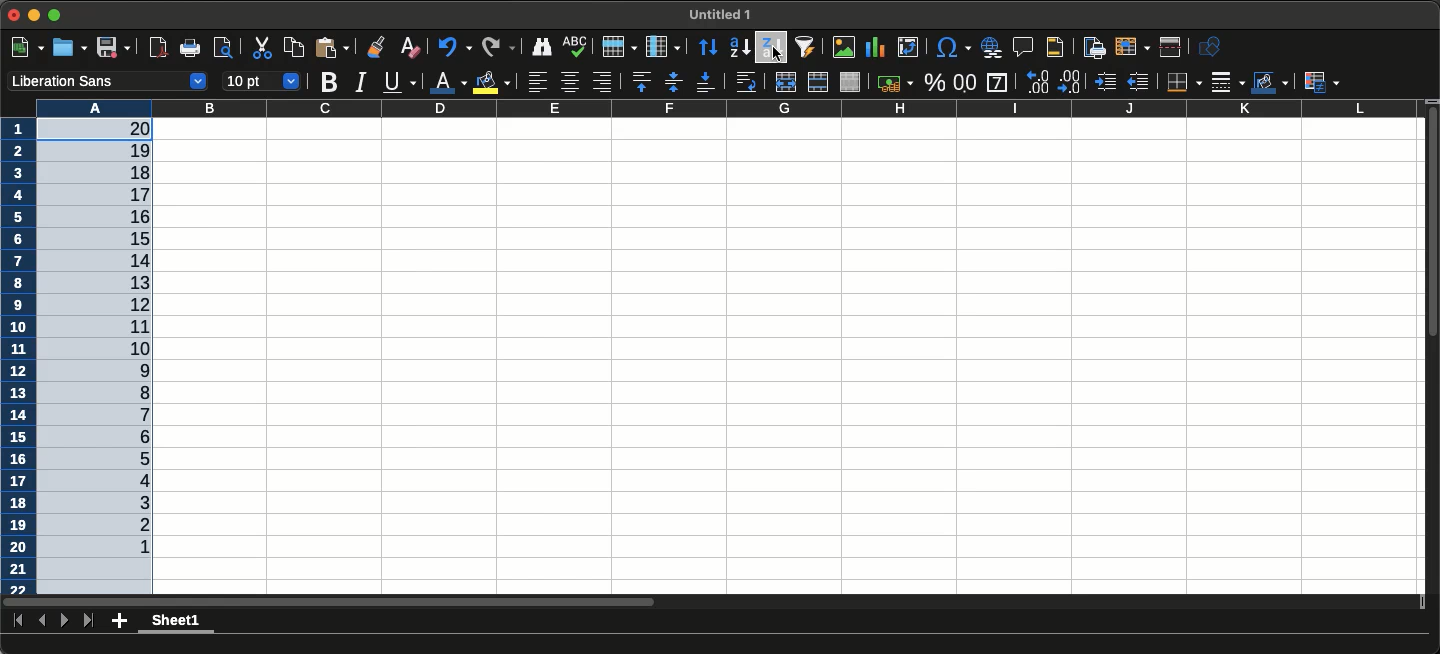 Image resolution: width=1440 pixels, height=654 pixels. Describe the element at coordinates (737, 48) in the screenshot. I see `Sort ascending` at that location.